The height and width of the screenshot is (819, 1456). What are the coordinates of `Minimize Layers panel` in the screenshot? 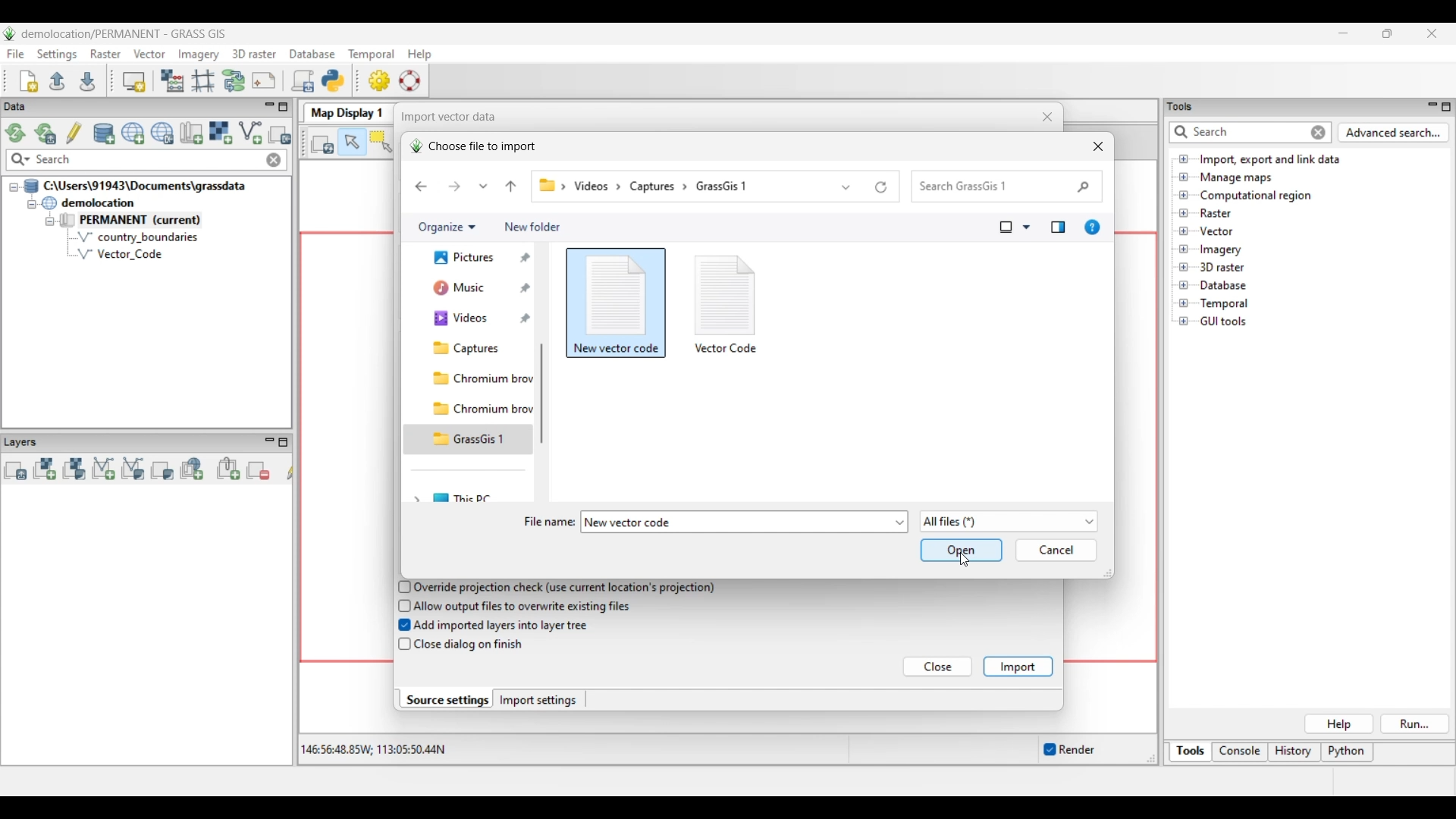 It's located at (269, 442).